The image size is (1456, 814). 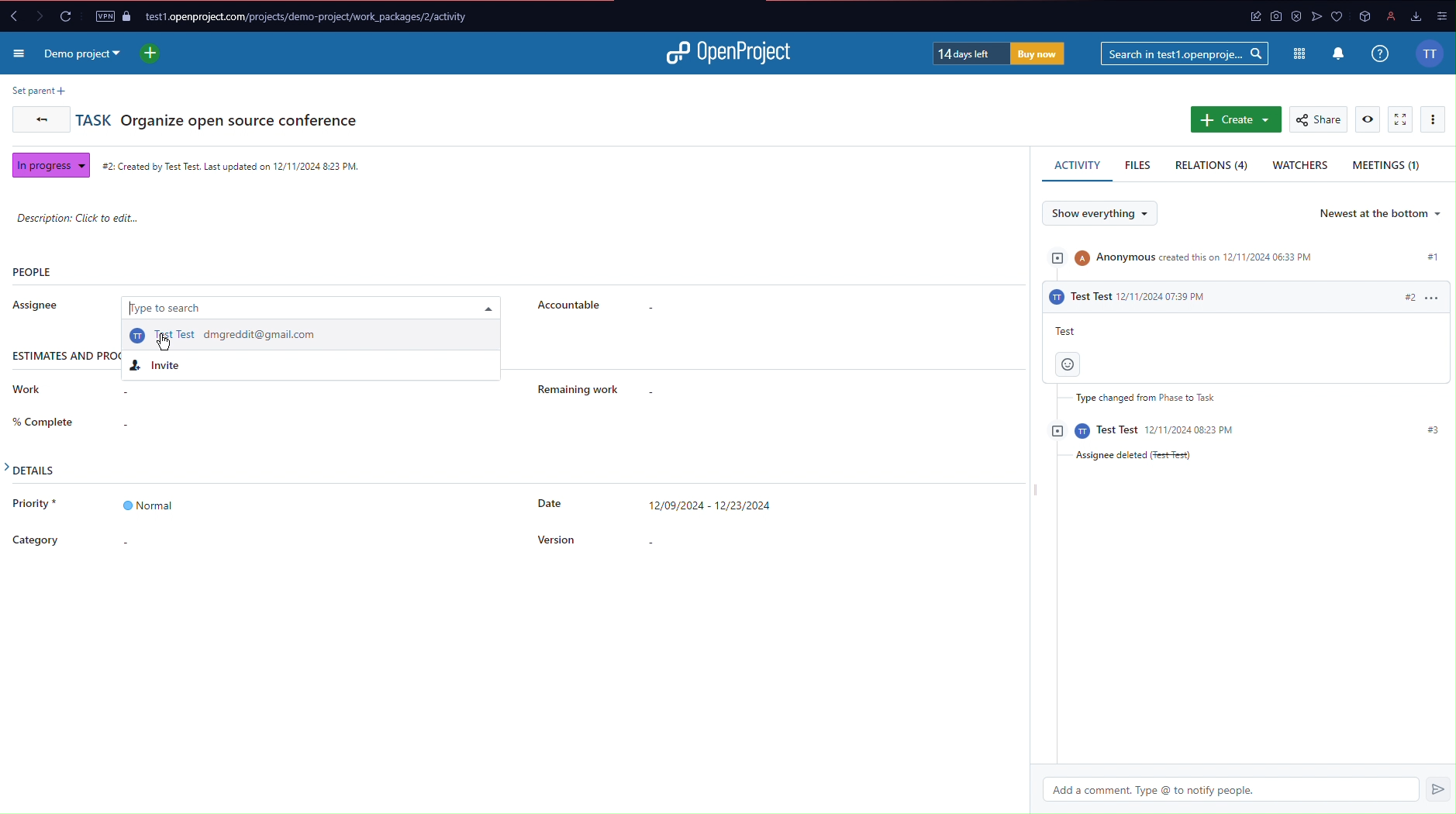 What do you see at coordinates (24, 388) in the screenshot?
I see `Work` at bounding box center [24, 388].